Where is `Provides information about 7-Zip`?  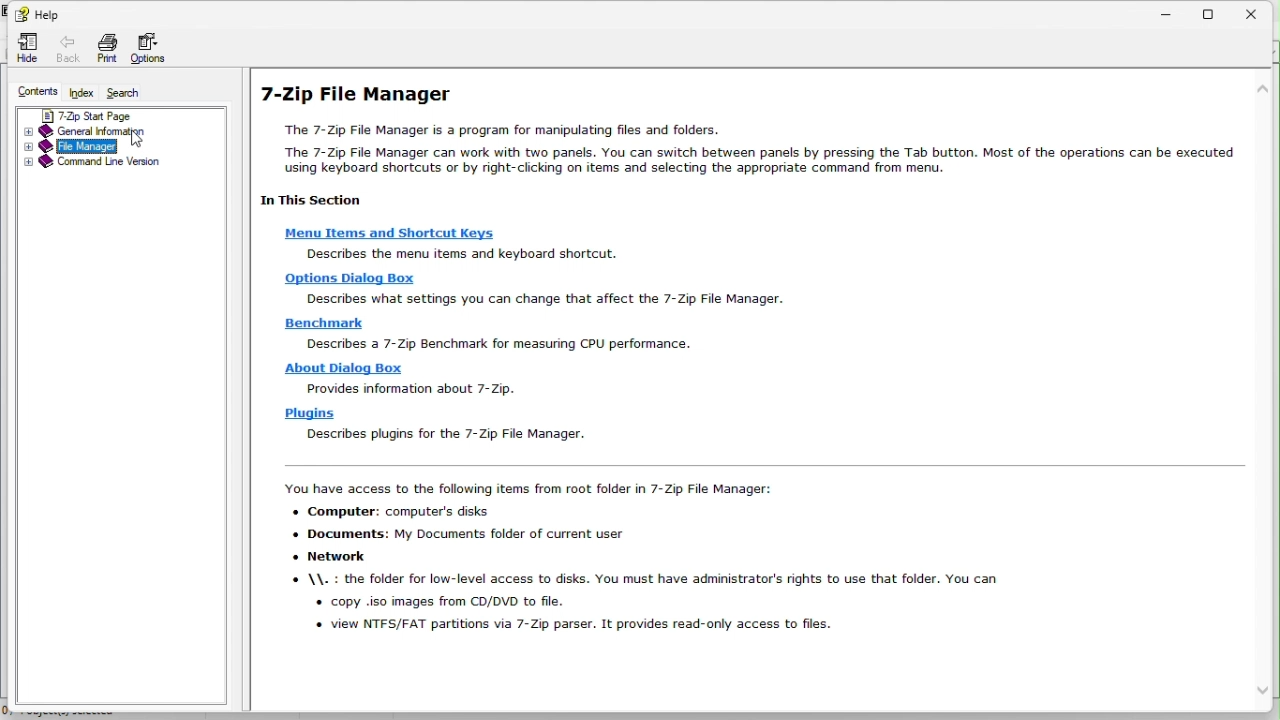 Provides information about 7-Zip is located at coordinates (404, 389).